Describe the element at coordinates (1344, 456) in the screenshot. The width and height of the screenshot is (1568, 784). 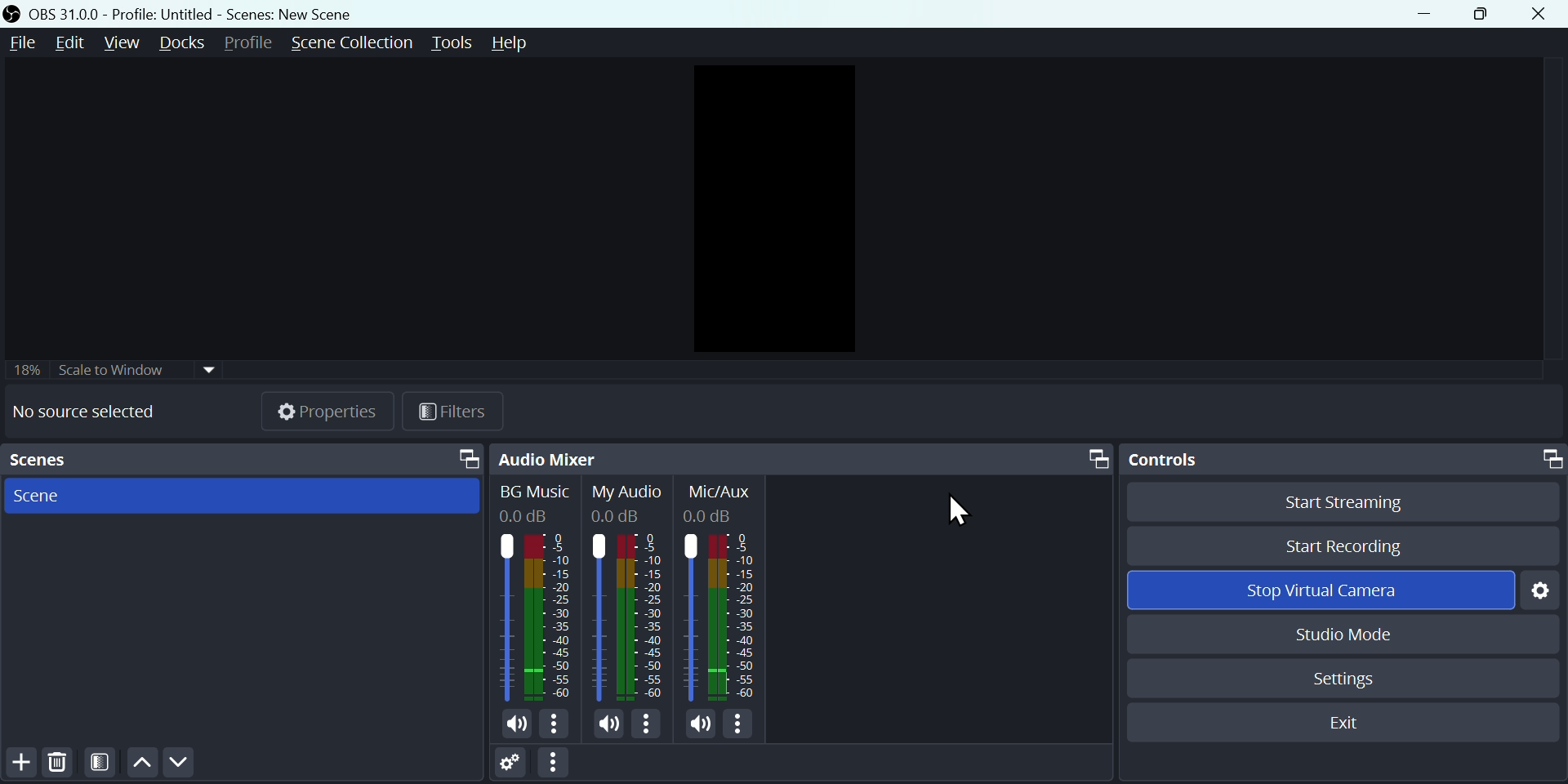
I see `Controls` at that location.